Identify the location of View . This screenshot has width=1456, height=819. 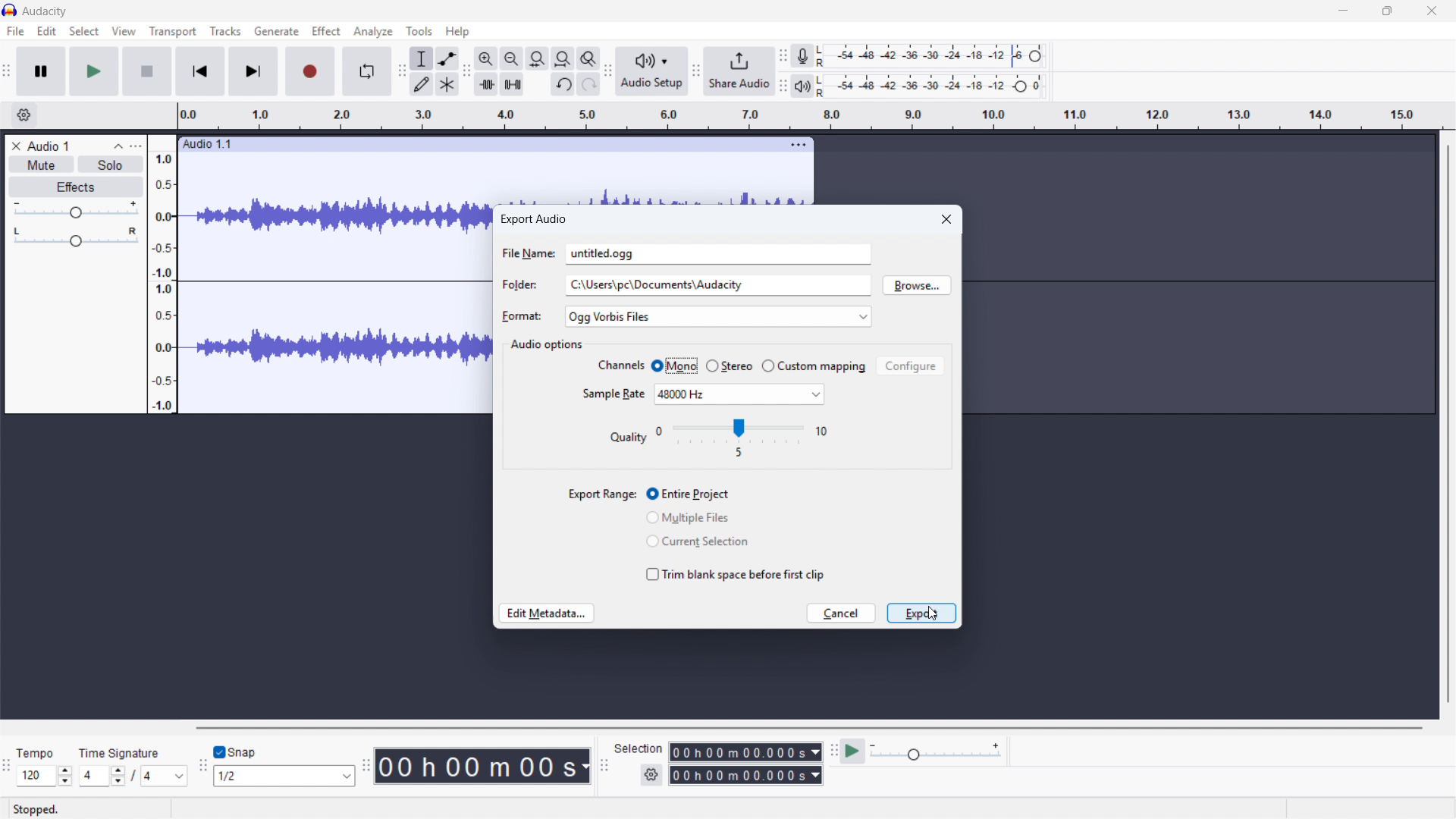
(124, 32).